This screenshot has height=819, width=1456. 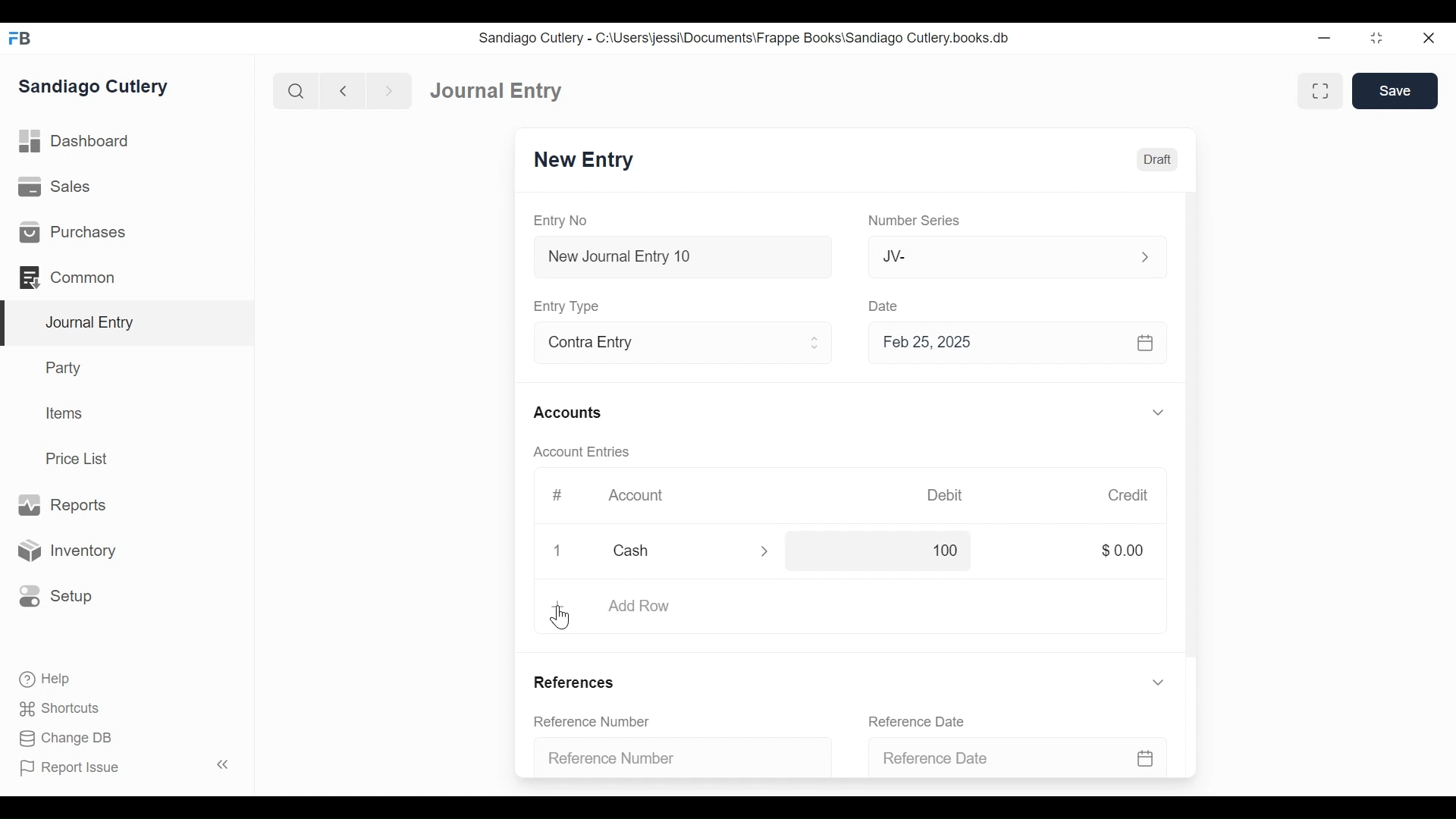 What do you see at coordinates (917, 221) in the screenshot?
I see `Number Series` at bounding box center [917, 221].